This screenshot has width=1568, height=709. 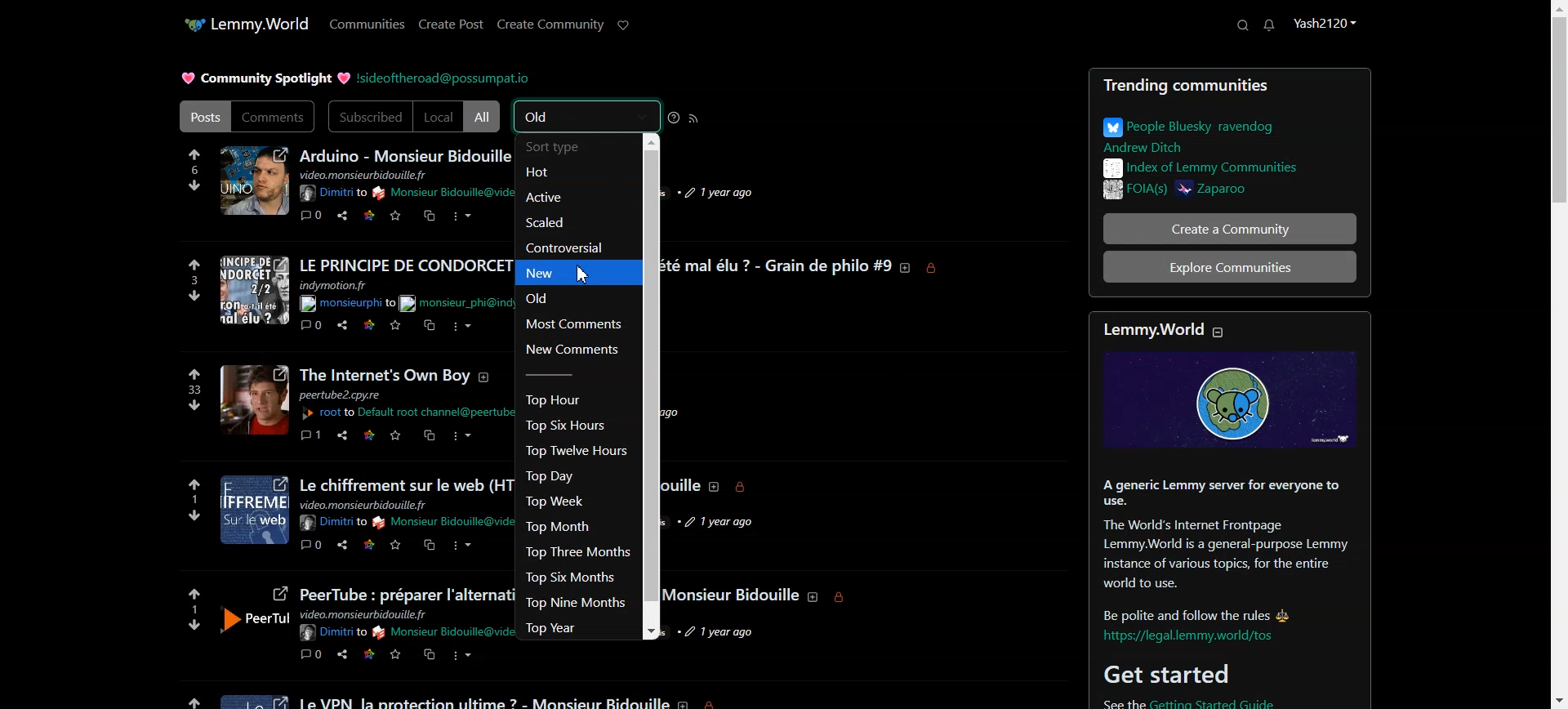 I want to click on Upvote, so click(x=197, y=153).